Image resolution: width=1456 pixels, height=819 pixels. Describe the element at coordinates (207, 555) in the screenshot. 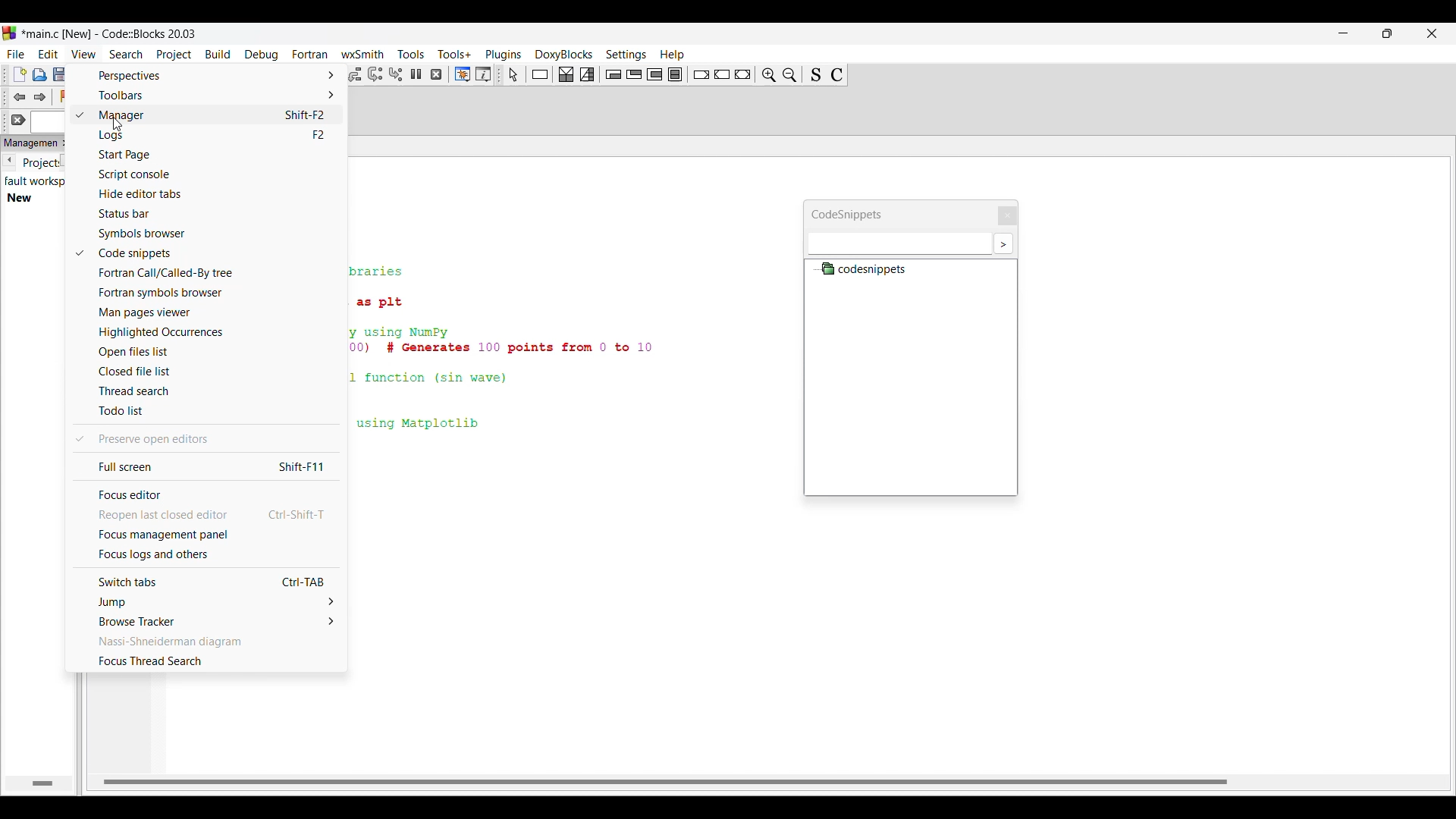

I see `Focus logs and others` at that location.